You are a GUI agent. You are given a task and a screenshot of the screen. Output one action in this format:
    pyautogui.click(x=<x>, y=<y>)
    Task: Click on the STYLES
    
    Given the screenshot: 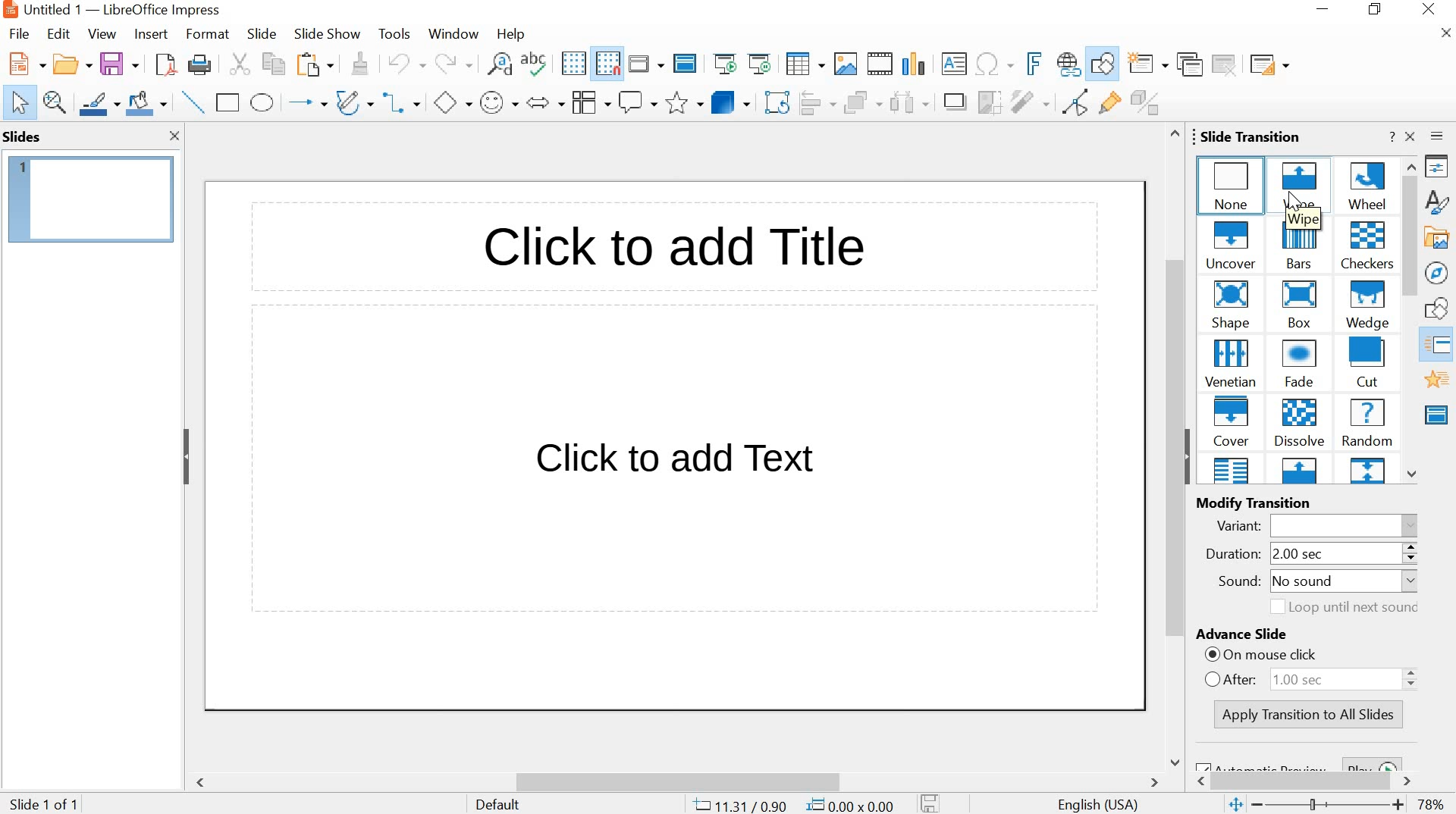 What is the action you would take?
    pyautogui.click(x=1438, y=202)
    